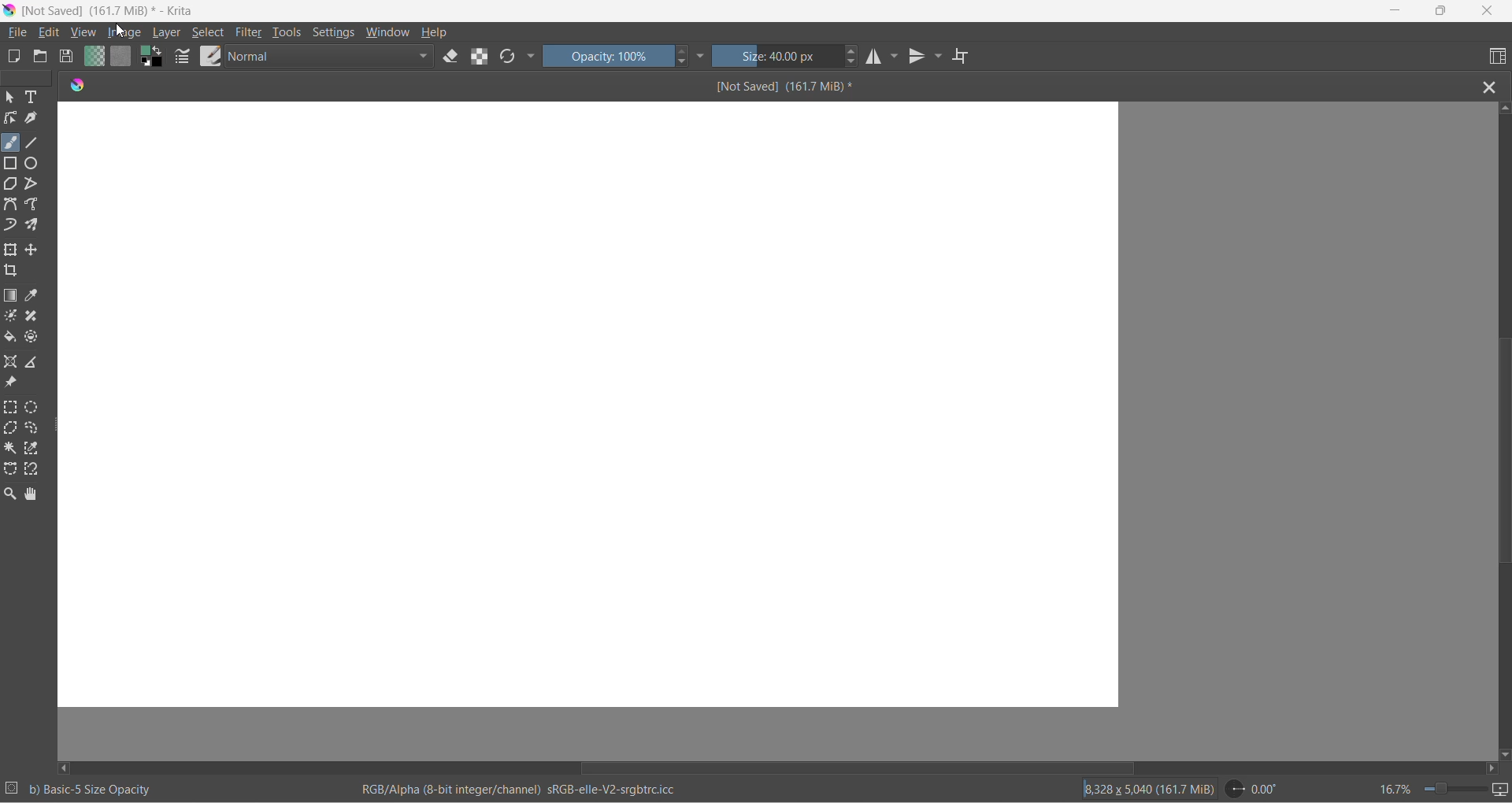  Describe the element at coordinates (31, 495) in the screenshot. I see `pan tool` at that location.